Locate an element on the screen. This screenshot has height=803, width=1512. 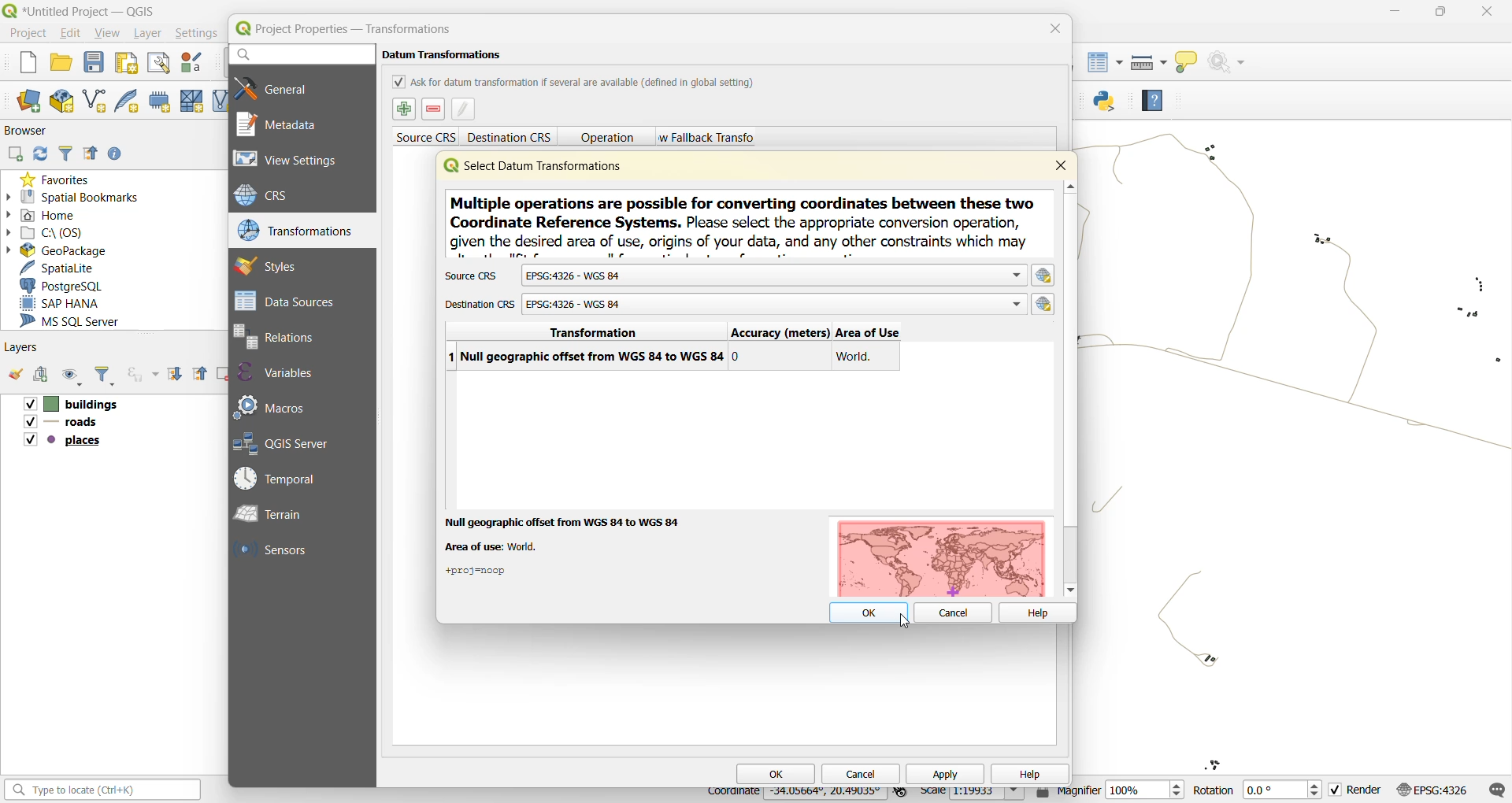
manage map is located at coordinates (72, 376).